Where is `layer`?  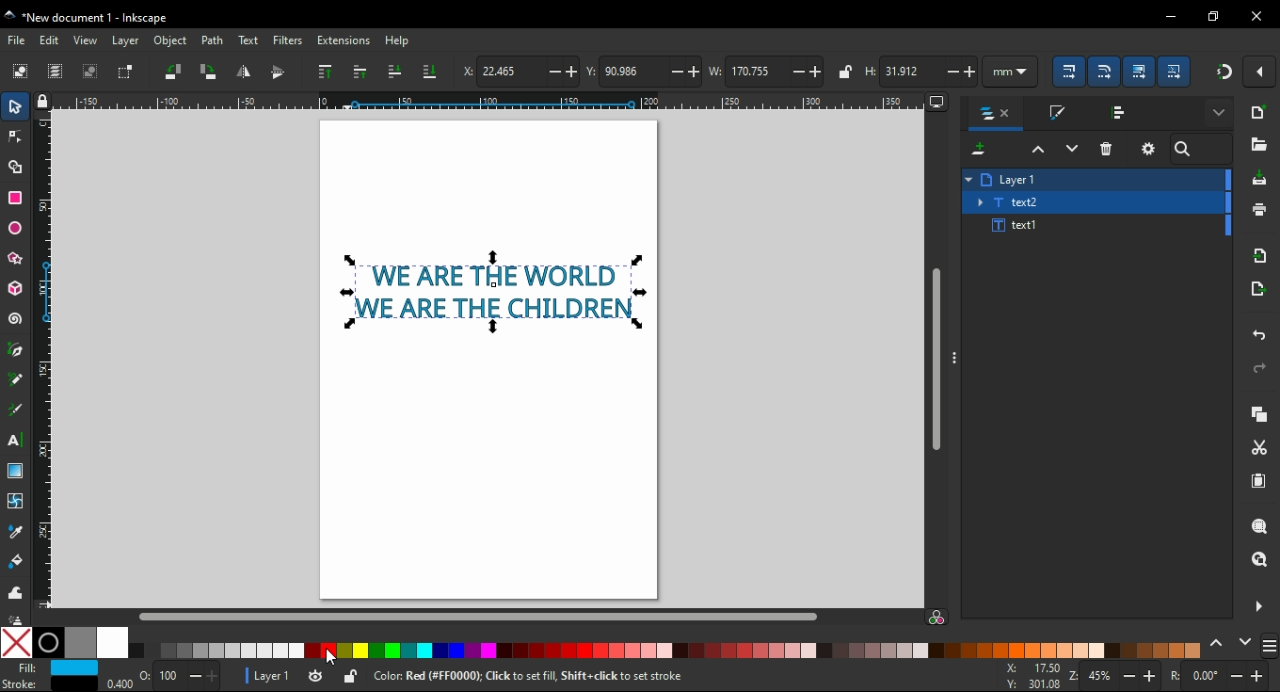 layer is located at coordinates (1020, 179).